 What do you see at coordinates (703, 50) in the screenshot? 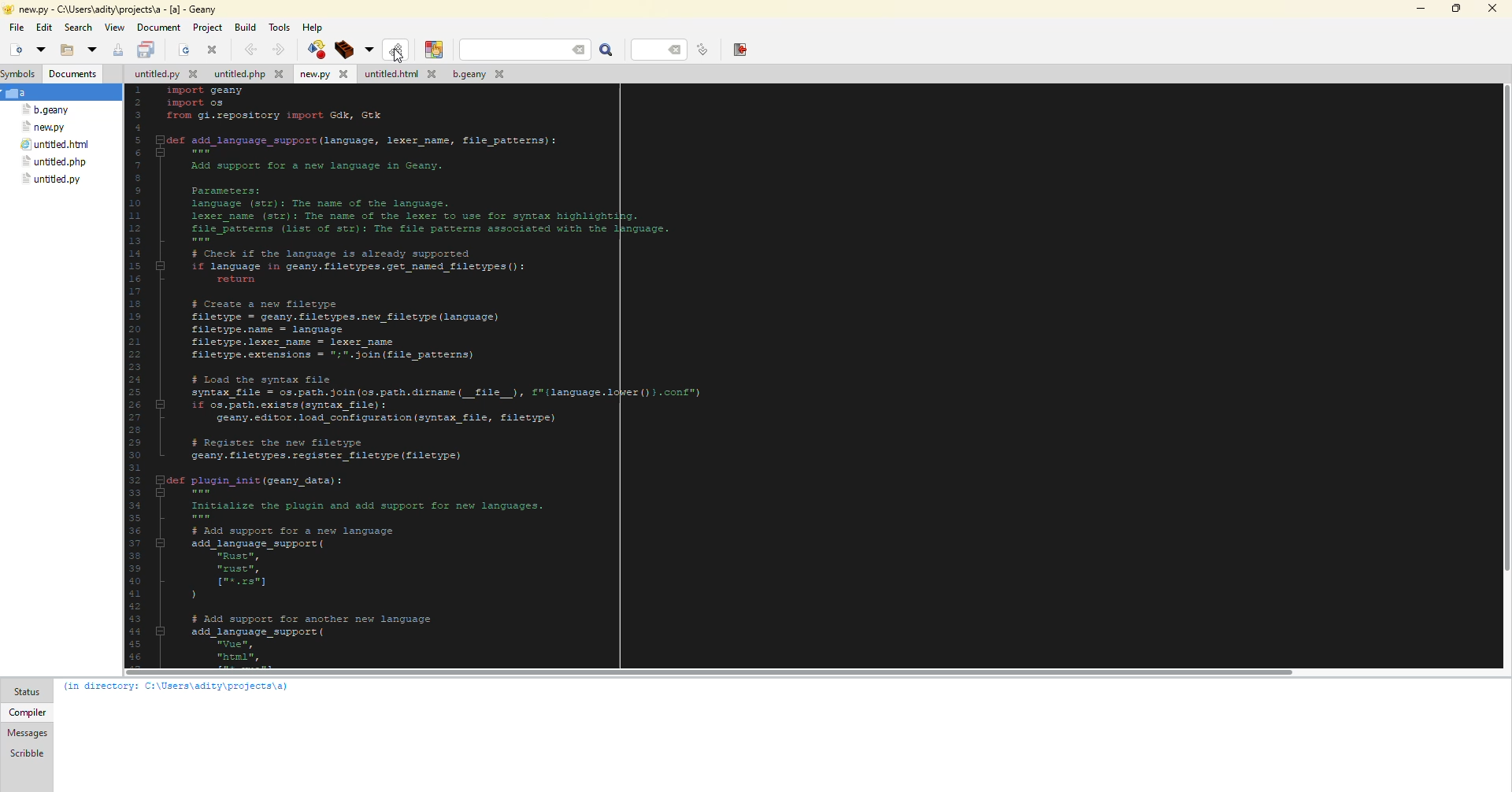
I see `goto line` at bounding box center [703, 50].